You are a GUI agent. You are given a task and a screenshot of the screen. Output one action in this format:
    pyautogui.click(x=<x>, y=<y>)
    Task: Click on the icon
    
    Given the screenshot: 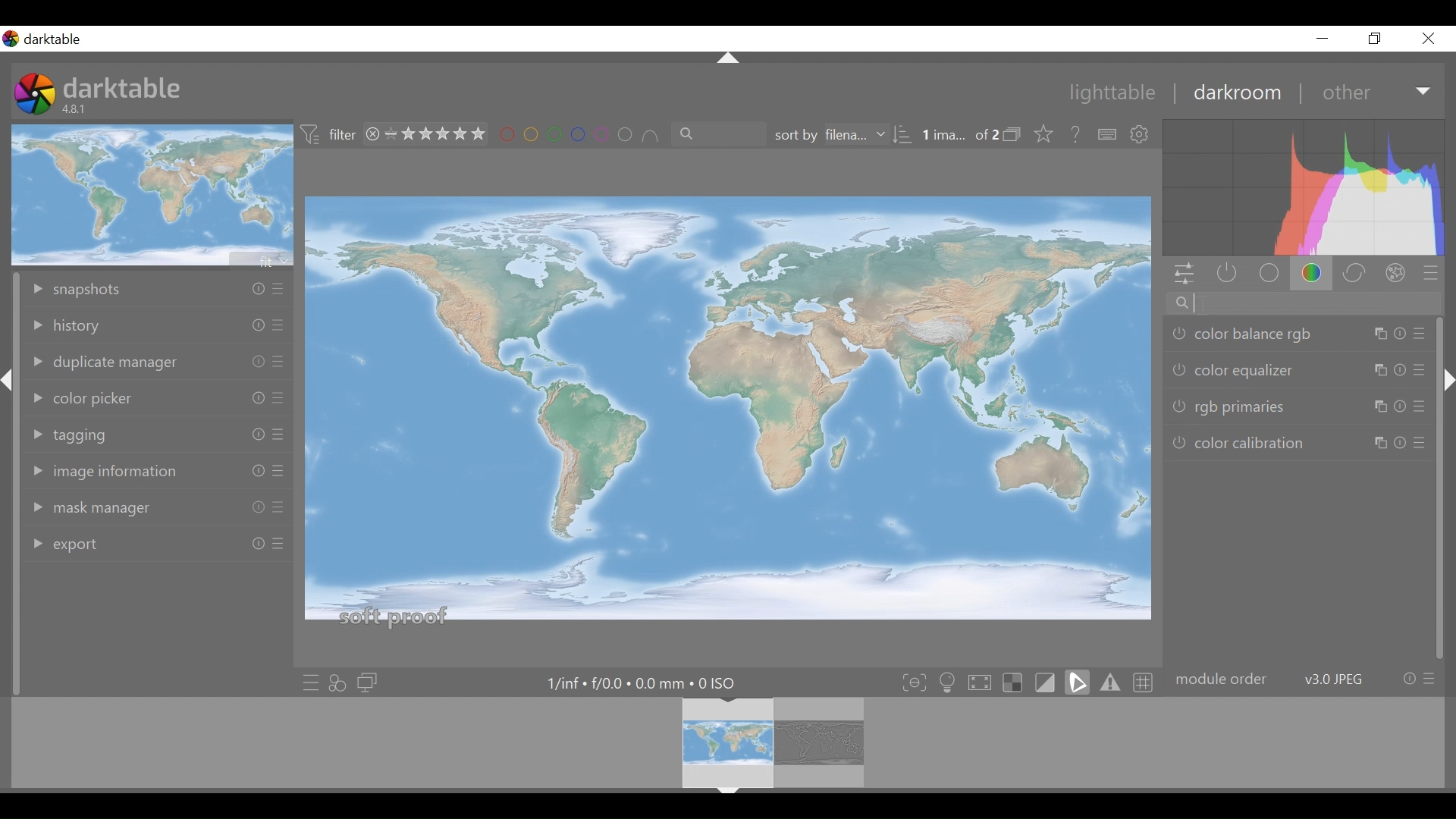 What is the action you would take?
    pyautogui.click(x=311, y=134)
    